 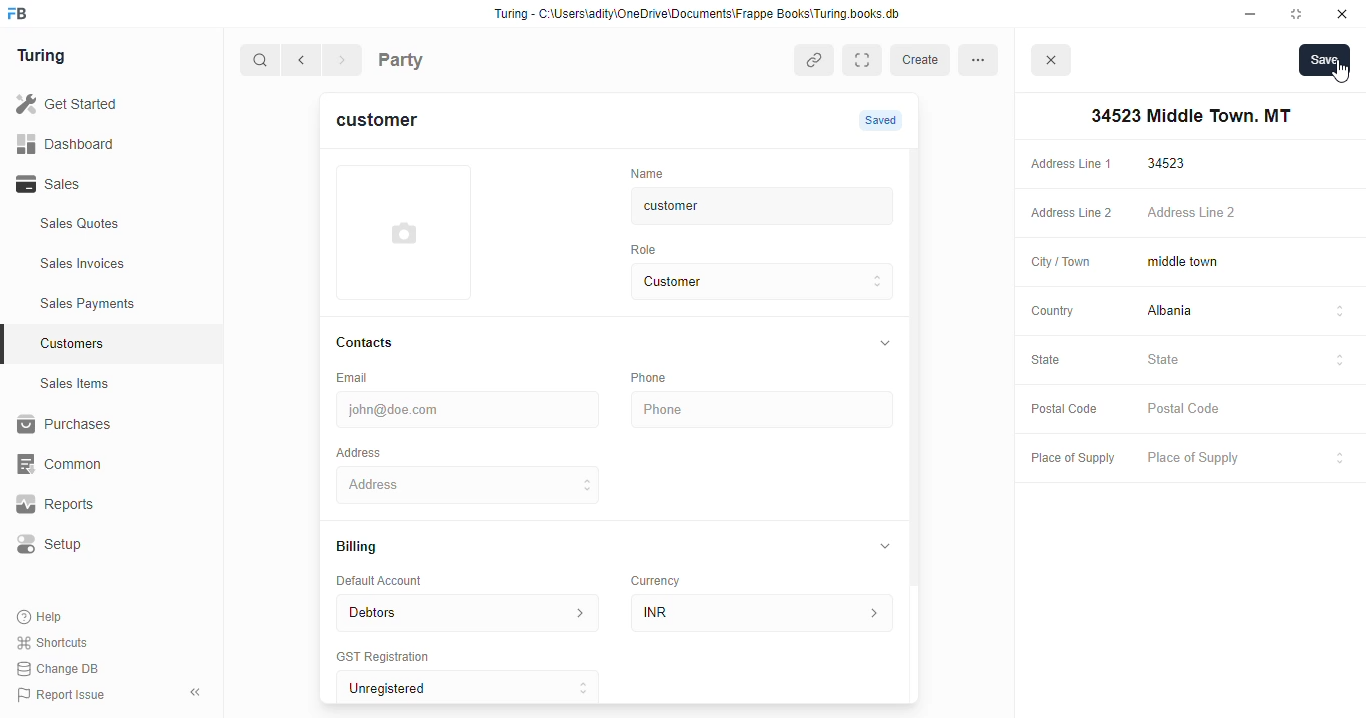 I want to click on cursor, so click(x=1339, y=73).